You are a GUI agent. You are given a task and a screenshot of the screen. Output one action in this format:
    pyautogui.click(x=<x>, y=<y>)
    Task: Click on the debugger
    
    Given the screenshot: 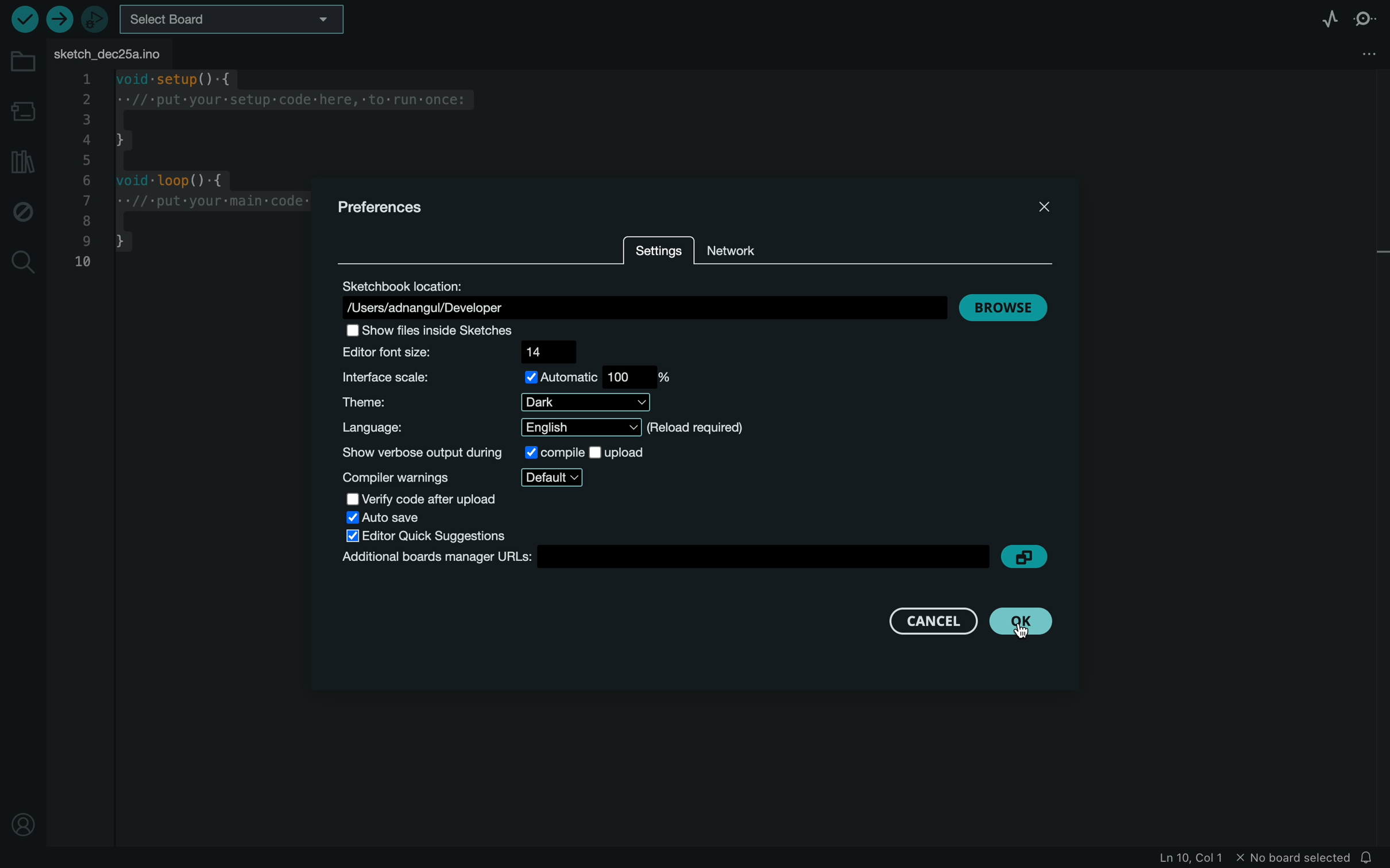 What is the action you would take?
    pyautogui.click(x=96, y=20)
    